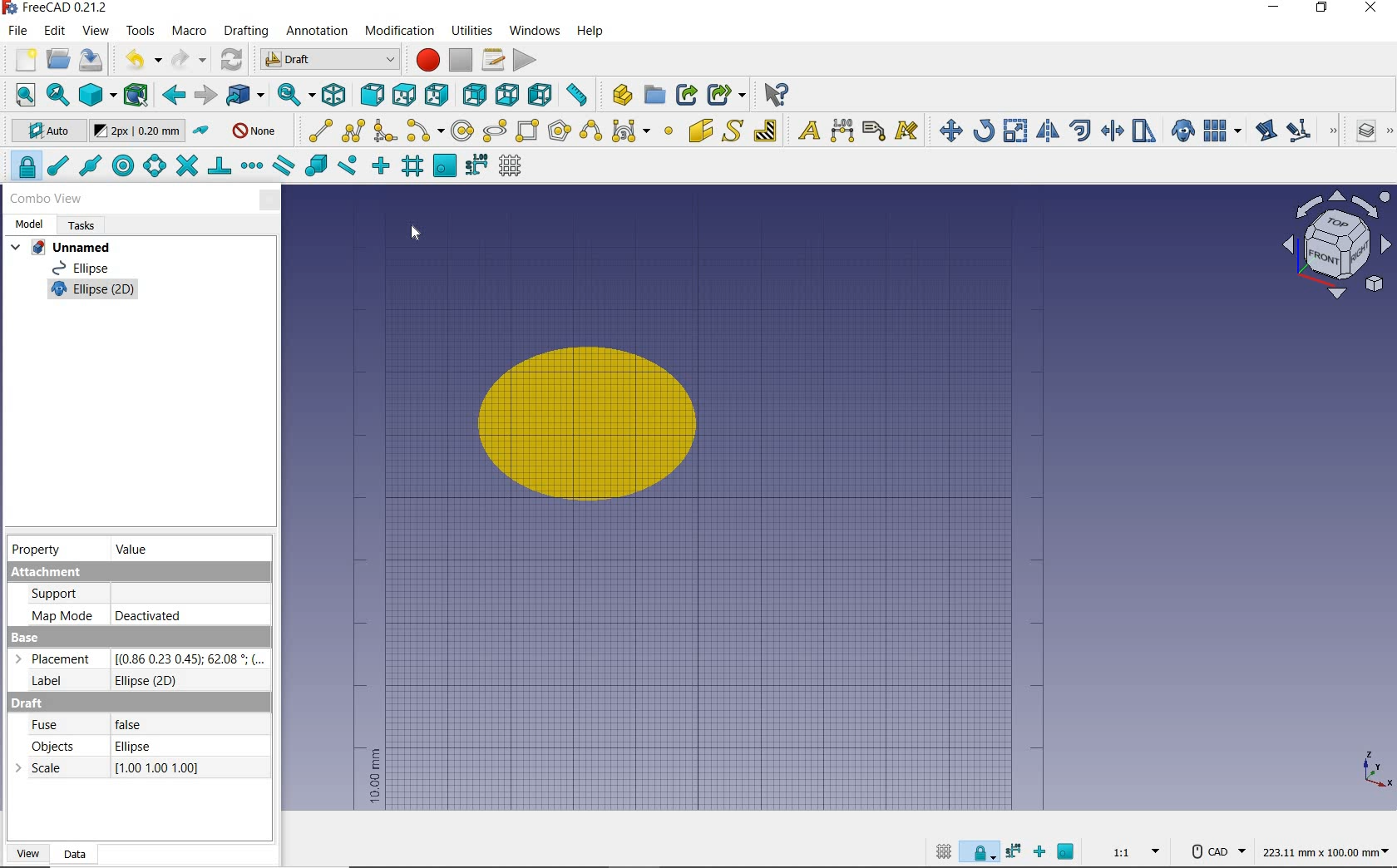 The width and height of the screenshot is (1397, 868). What do you see at coordinates (244, 96) in the screenshot?
I see `go to linked object` at bounding box center [244, 96].